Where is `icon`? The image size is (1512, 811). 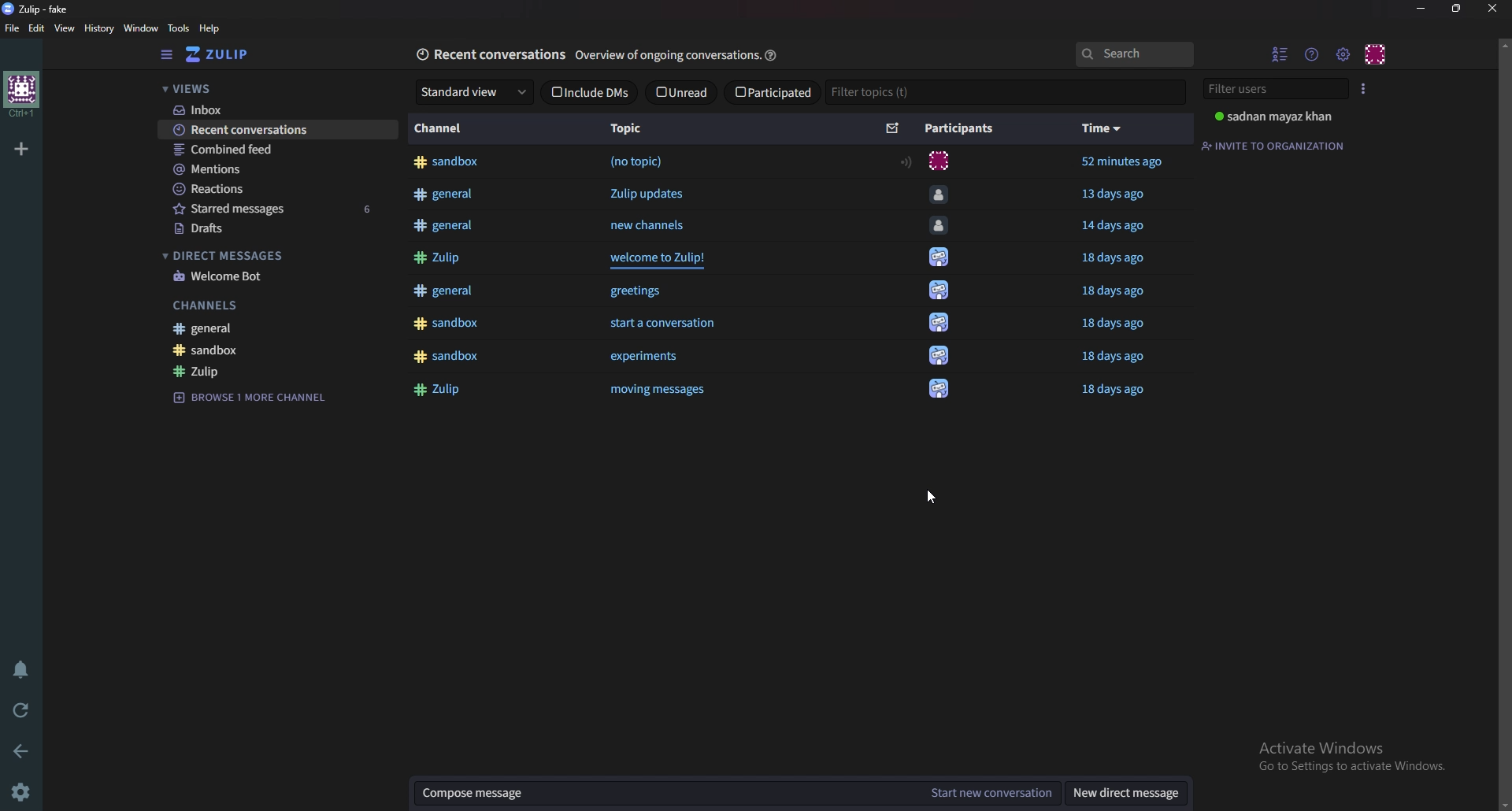
icon is located at coordinates (939, 159).